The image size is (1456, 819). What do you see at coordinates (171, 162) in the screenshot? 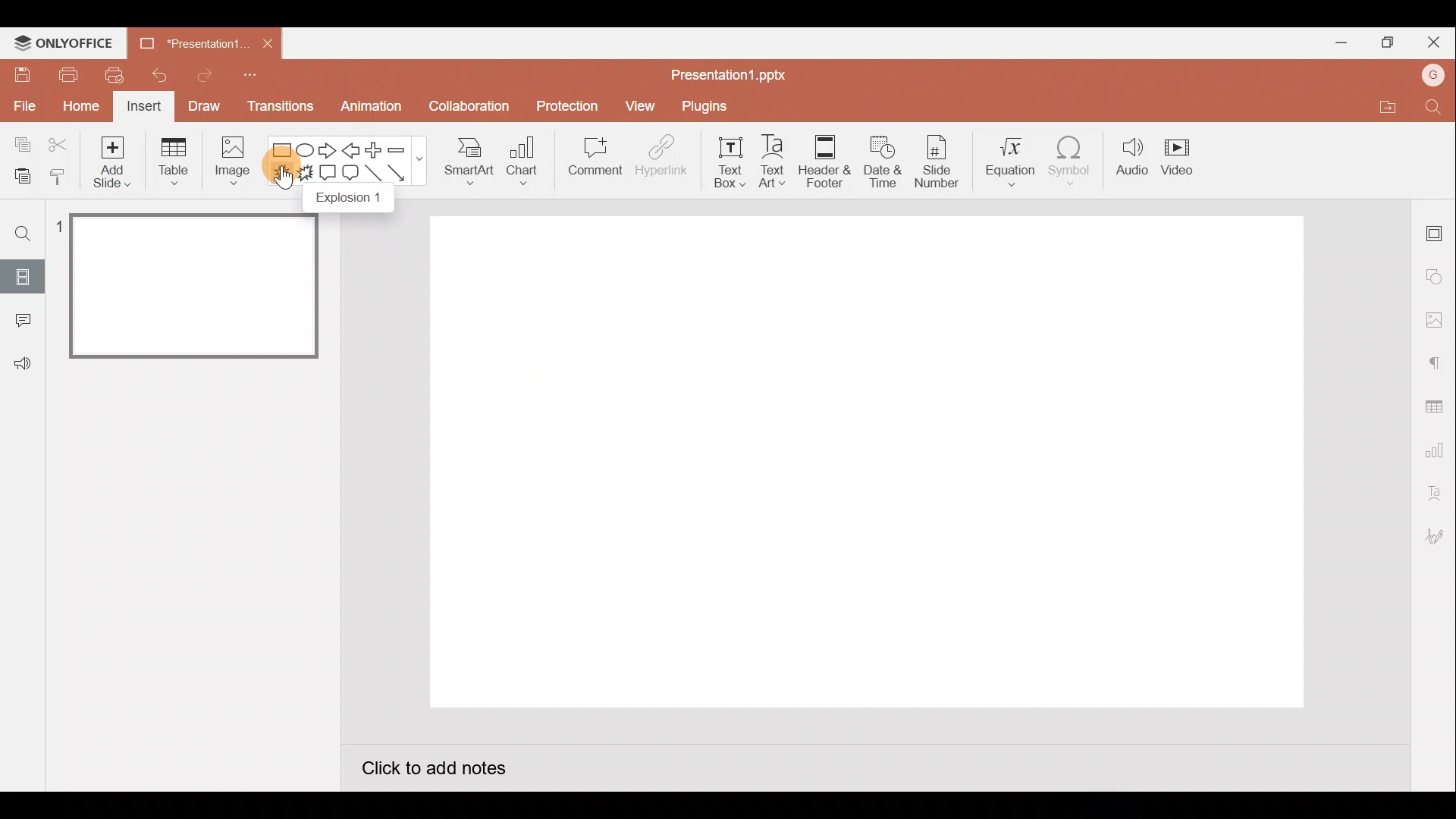
I see `Table` at bounding box center [171, 162].